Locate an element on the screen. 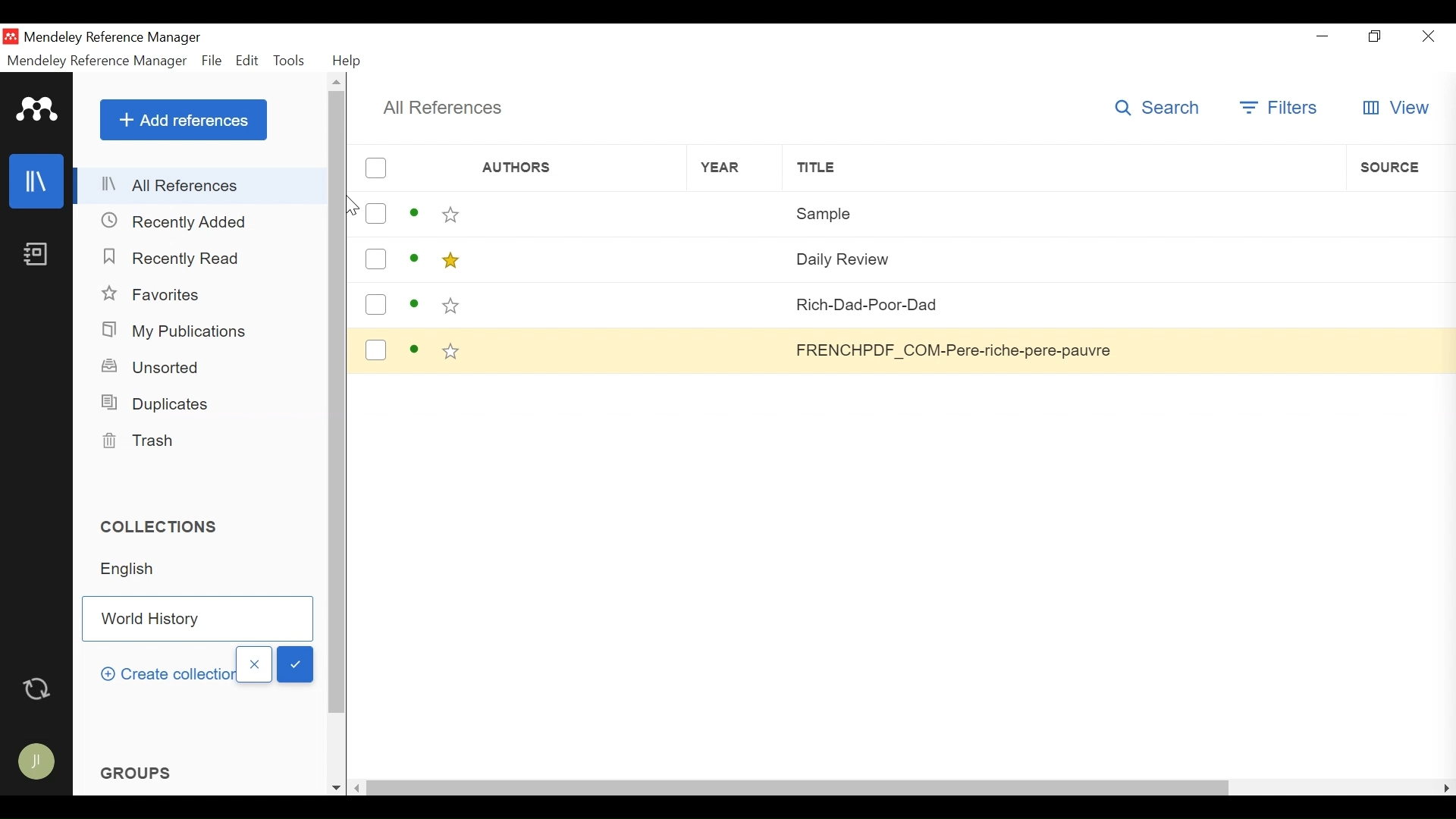  Daily Review is located at coordinates (1062, 257).